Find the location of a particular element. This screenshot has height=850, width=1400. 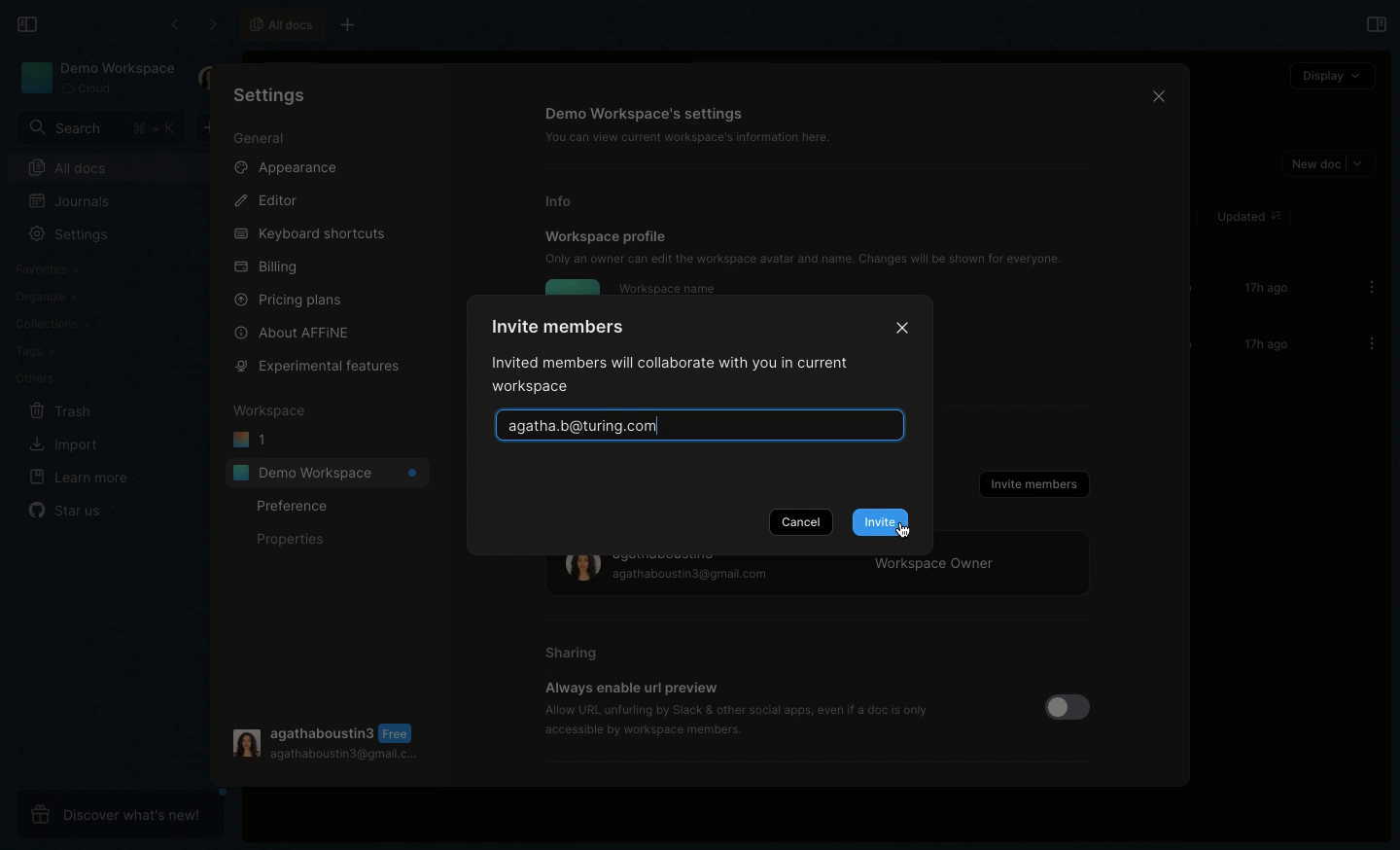

Settings is located at coordinates (71, 233).